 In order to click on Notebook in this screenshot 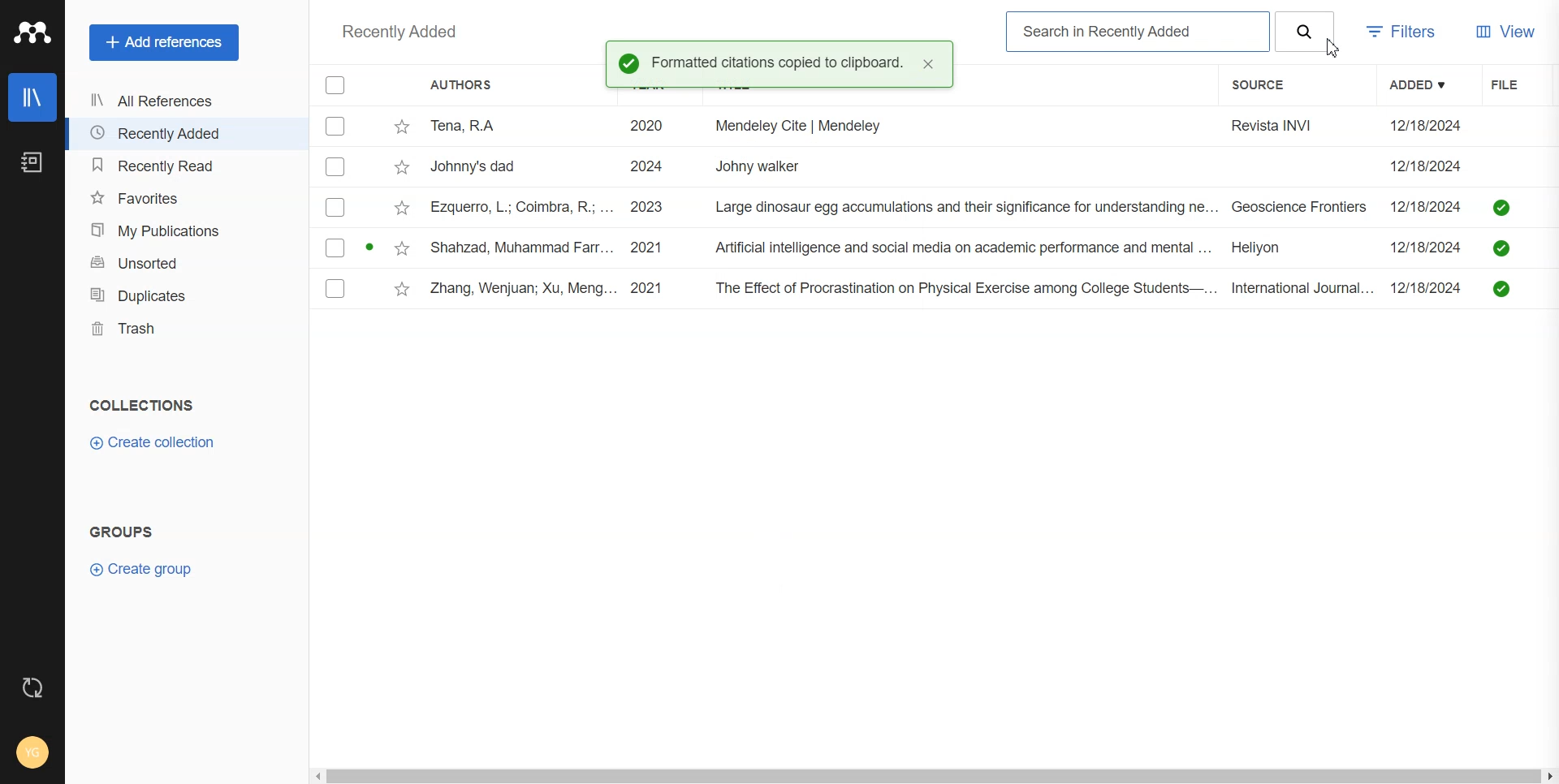, I will do `click(32, 162)`.